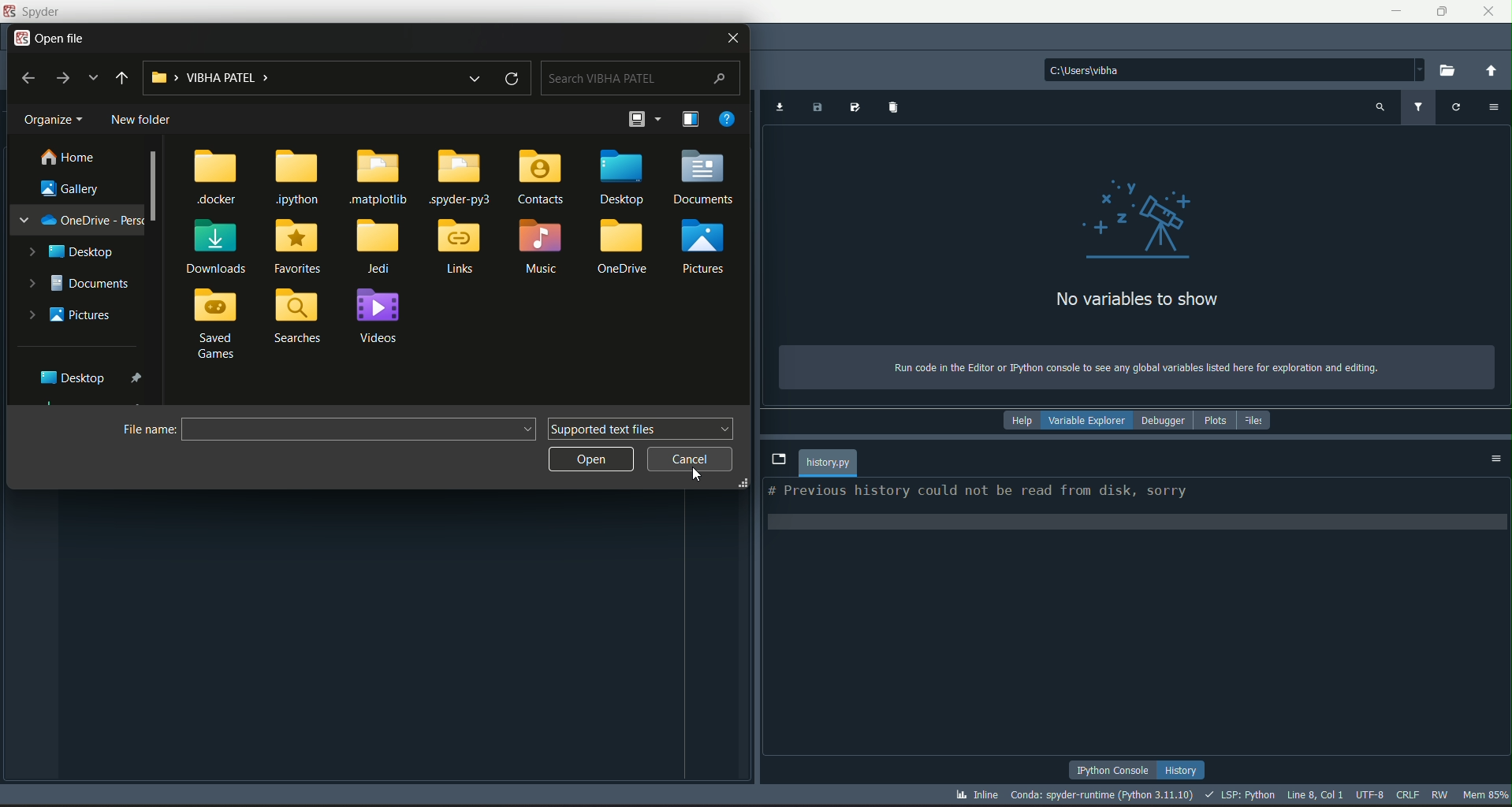 The width and height of the screenshot is (1512, 807). What do you see at coordinates (460, 246) in the screenshot?
I see `links` at bounding box center [460, 246].